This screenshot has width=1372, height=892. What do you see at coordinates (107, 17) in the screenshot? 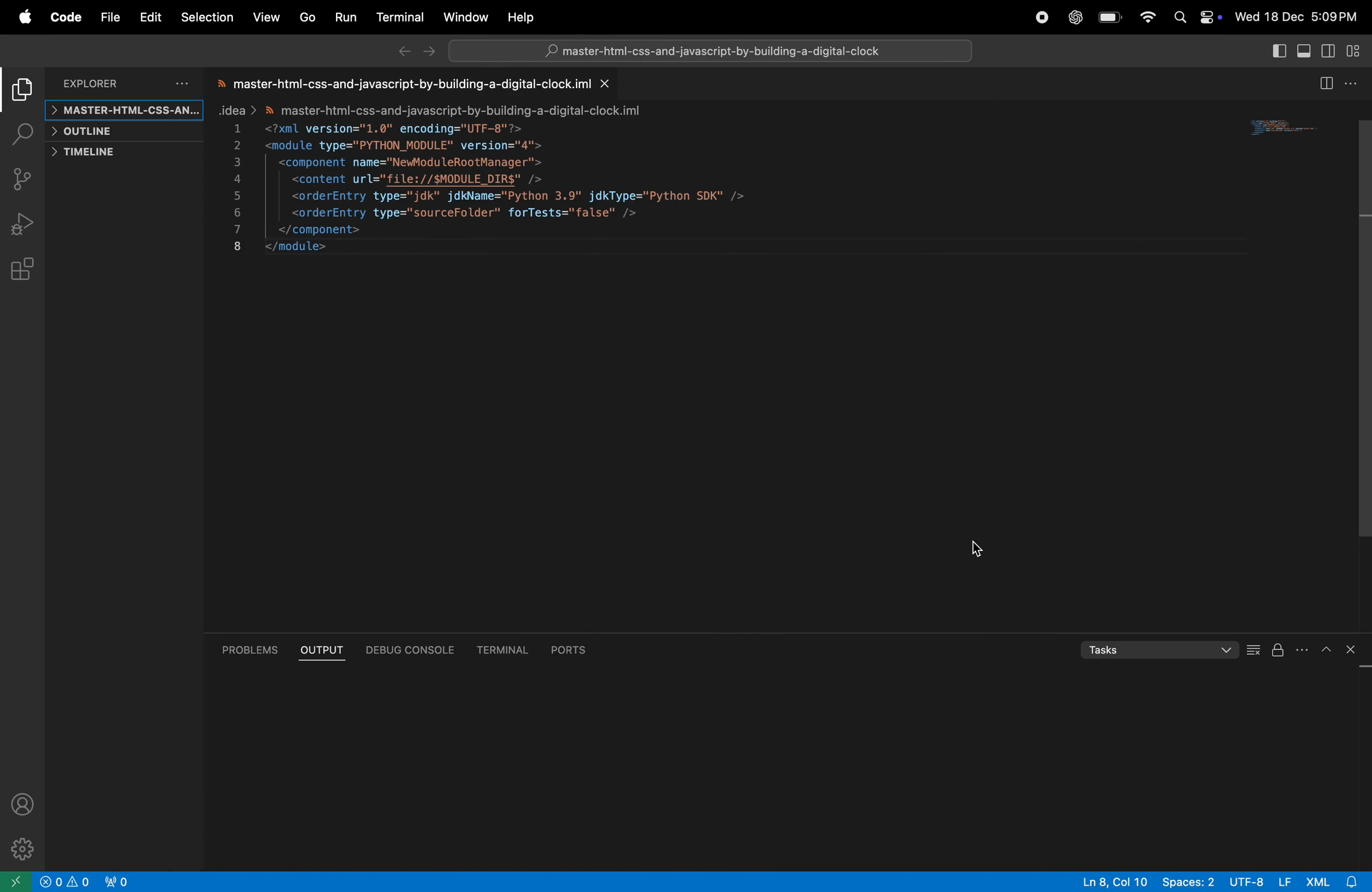
I see `file` at bounding box center [107, 17].